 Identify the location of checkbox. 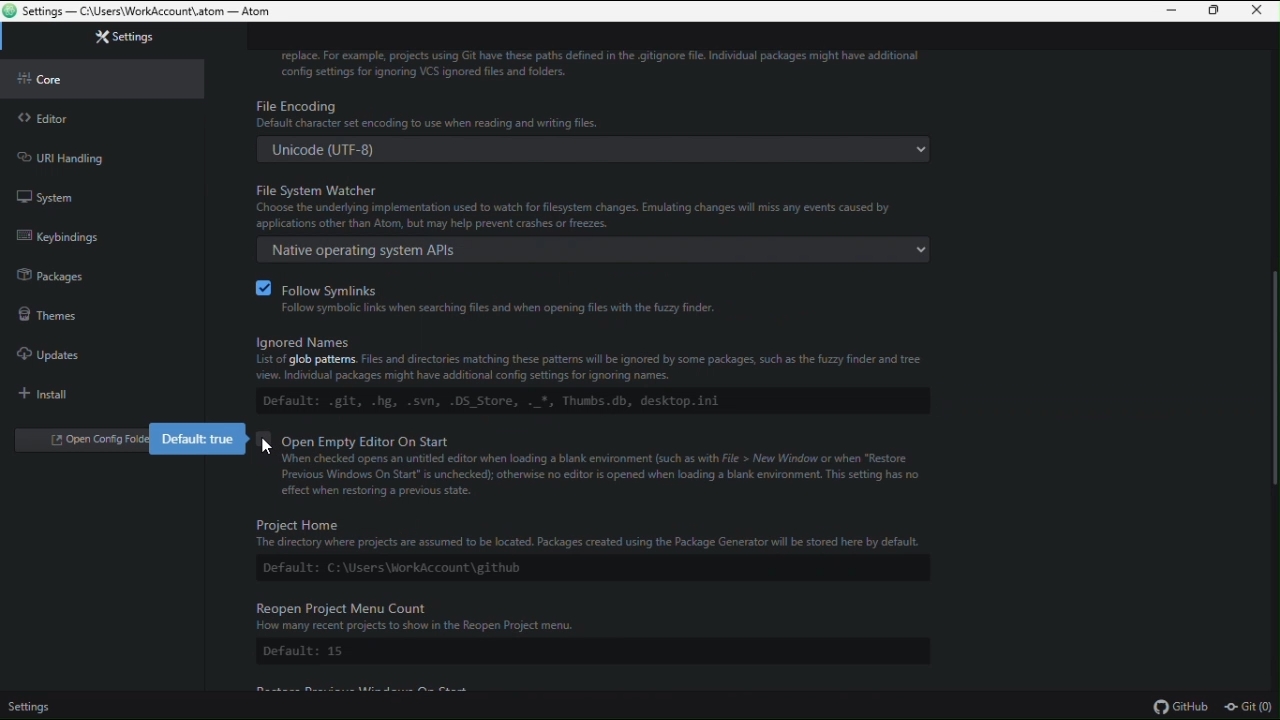
(260, 288).